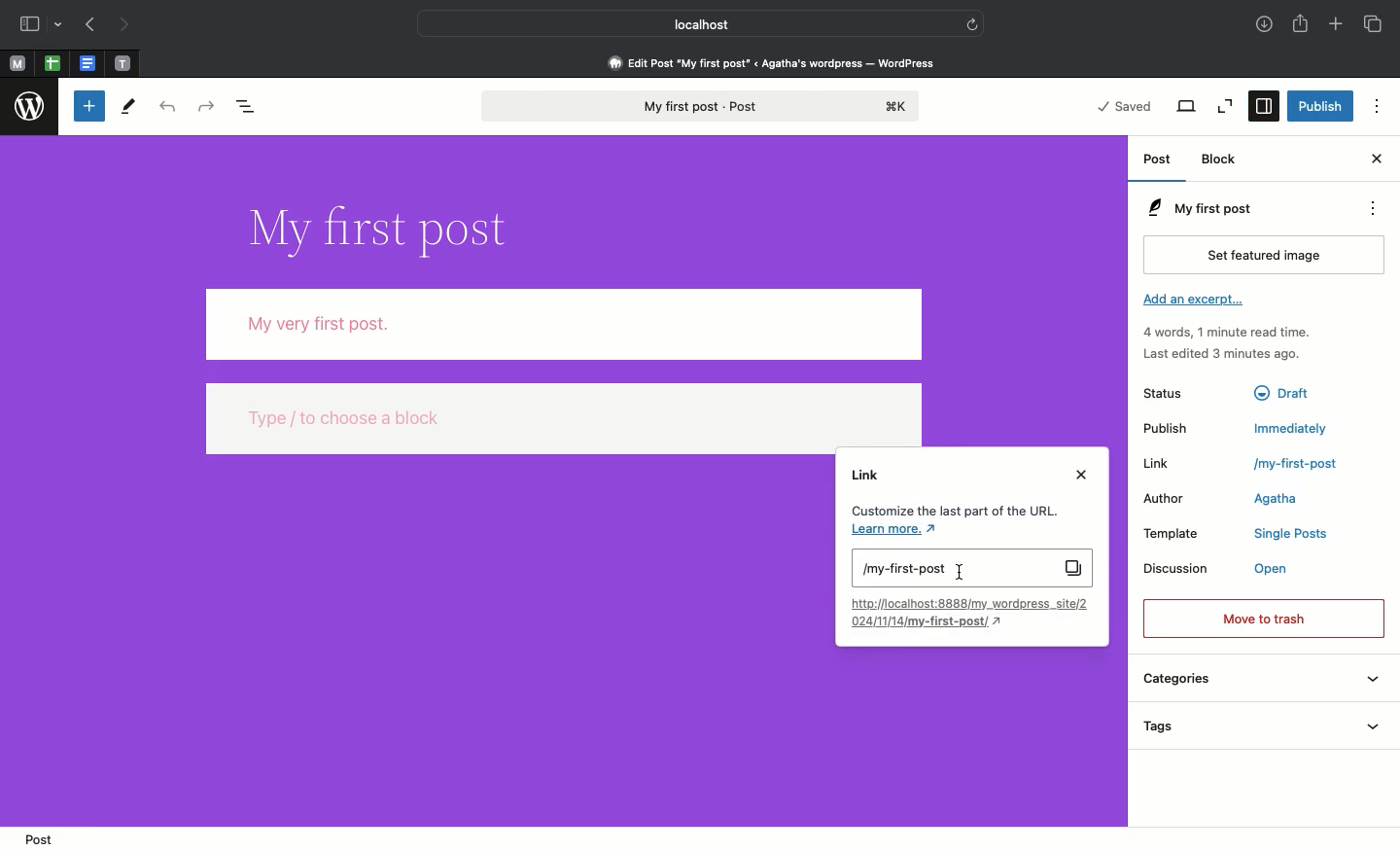  Describe the element at coordinates (1161, 498) in the screenshot. I see `Author` at that location.